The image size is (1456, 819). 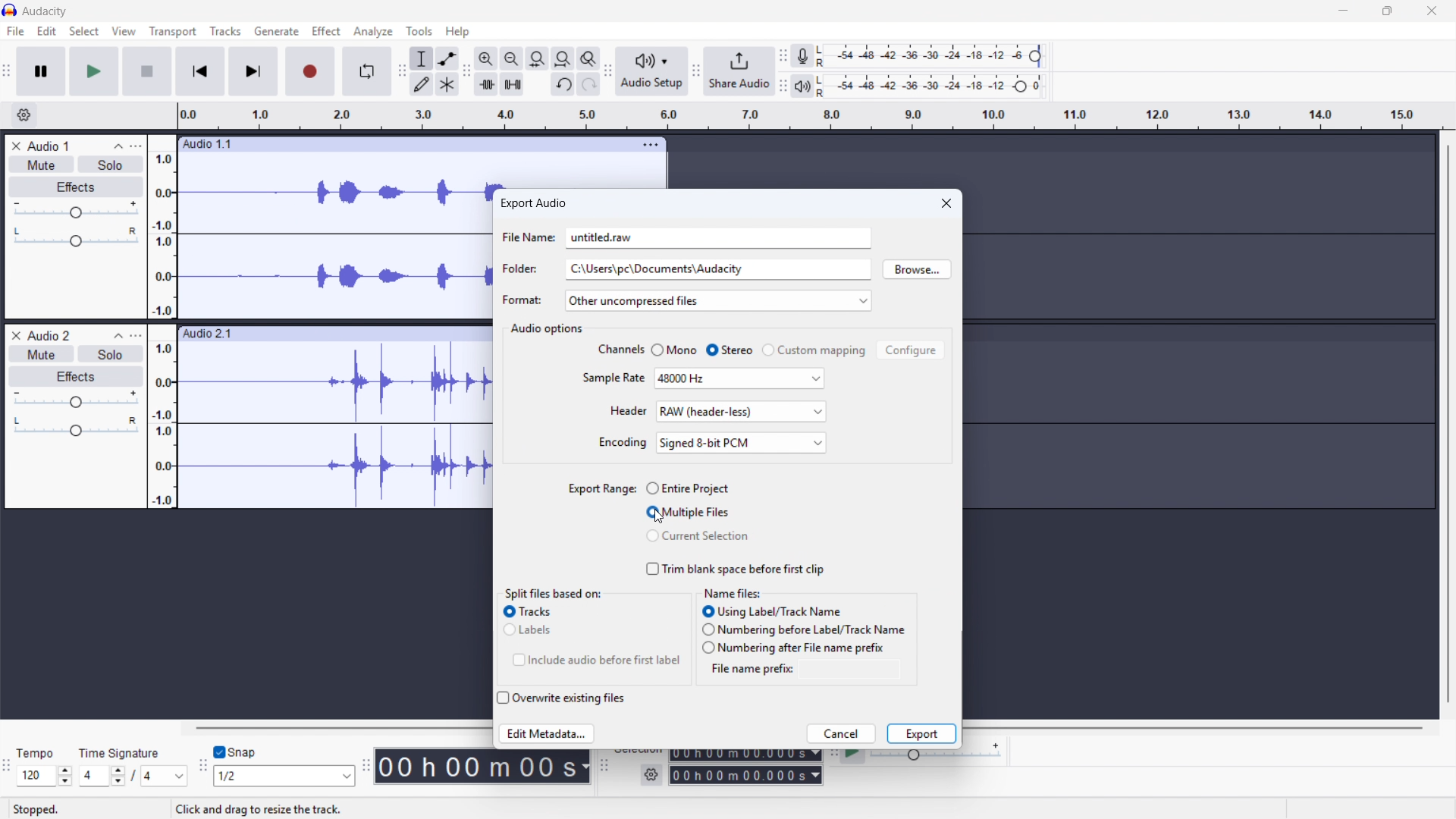 I want to click on channels, so click(x=619, y=350).